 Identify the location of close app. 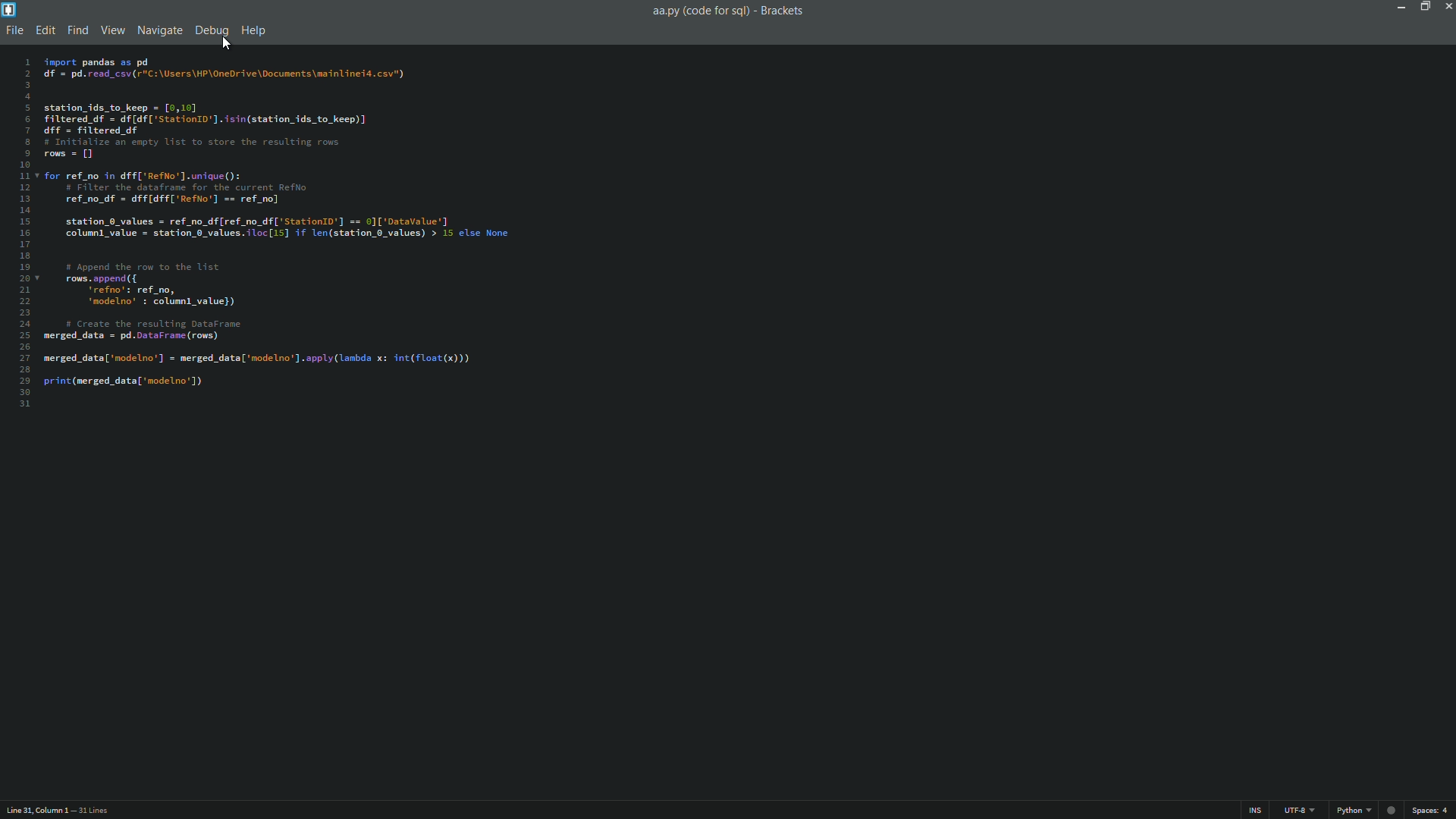
(1447, 6).